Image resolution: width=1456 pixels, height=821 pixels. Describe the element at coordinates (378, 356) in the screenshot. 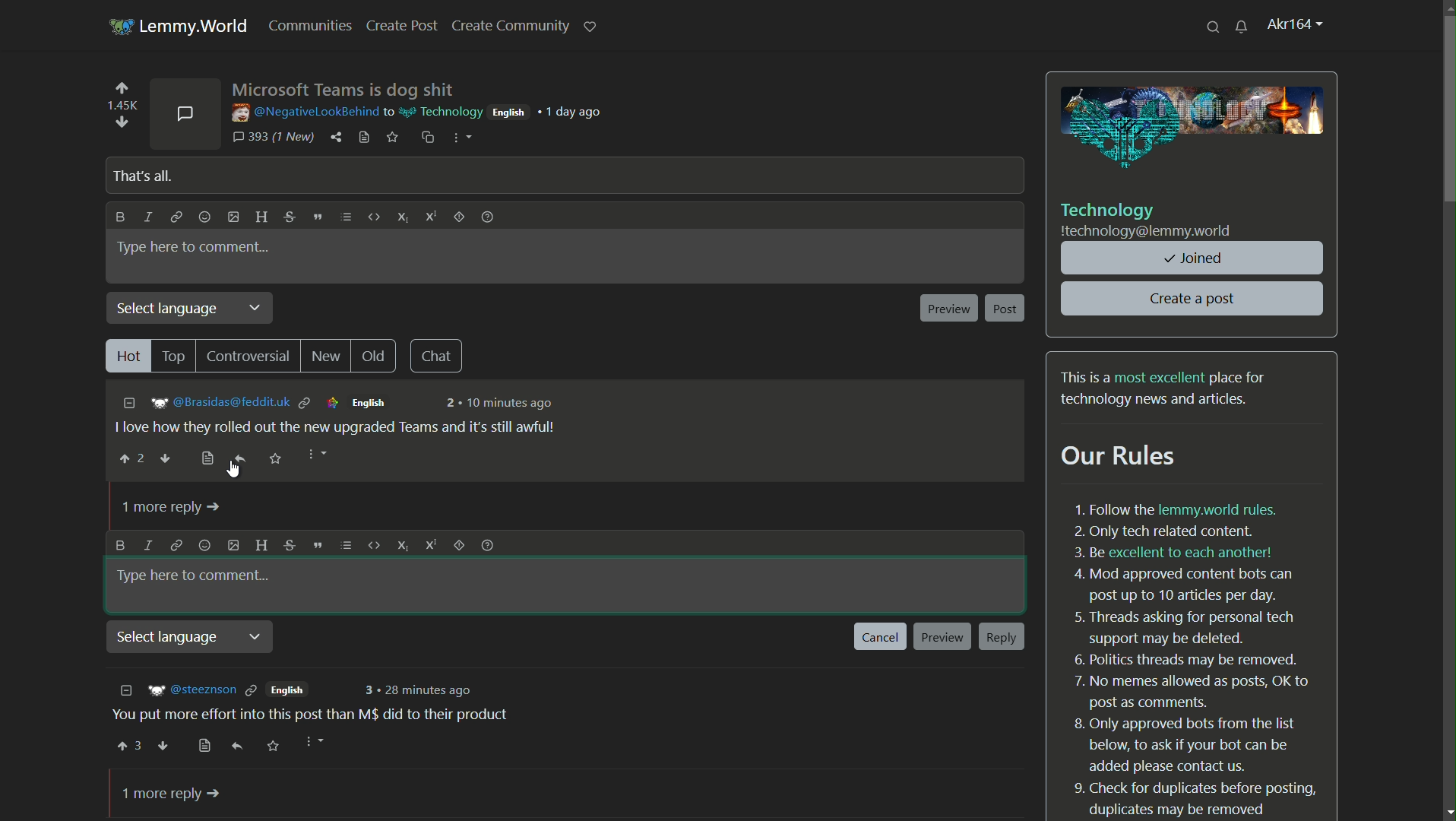

I see `old` at that location.